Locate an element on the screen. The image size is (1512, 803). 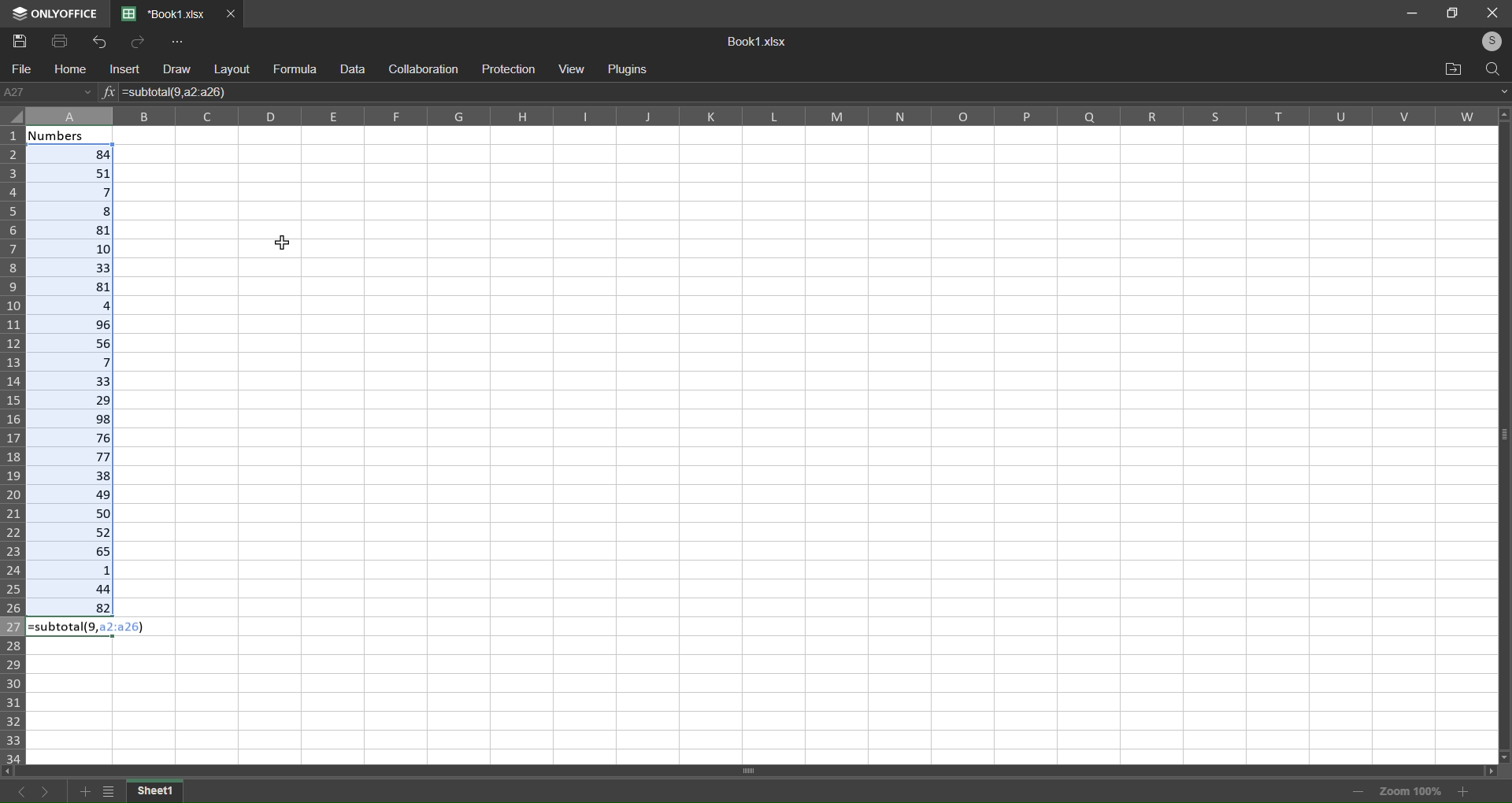
draw is located at coordinates (175, 69).